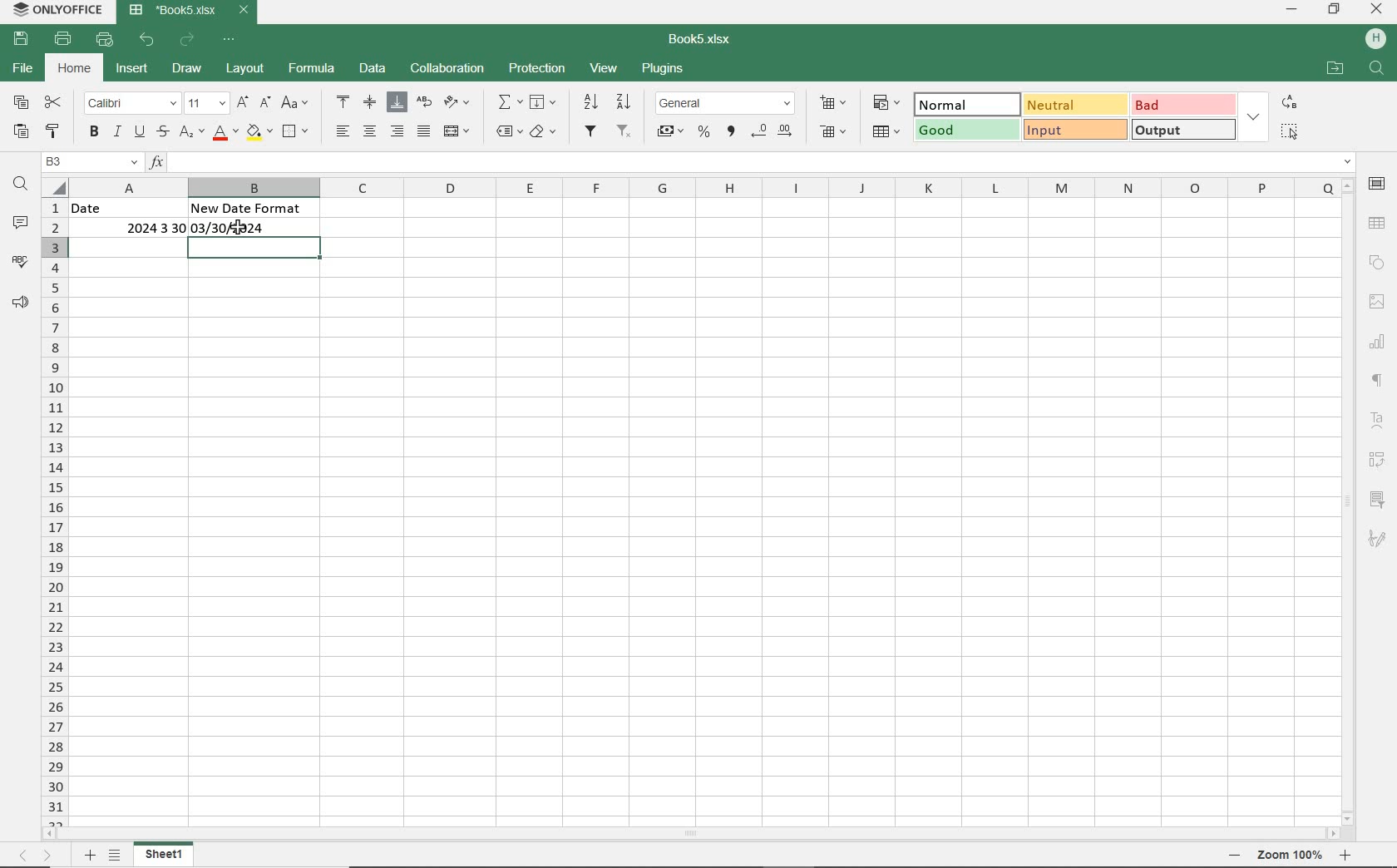 Image resolution: width=1397 pixels, height=868 pixels. Describe the element at coordinates (122, 208) in the screenshot. I see `Date` at that location.